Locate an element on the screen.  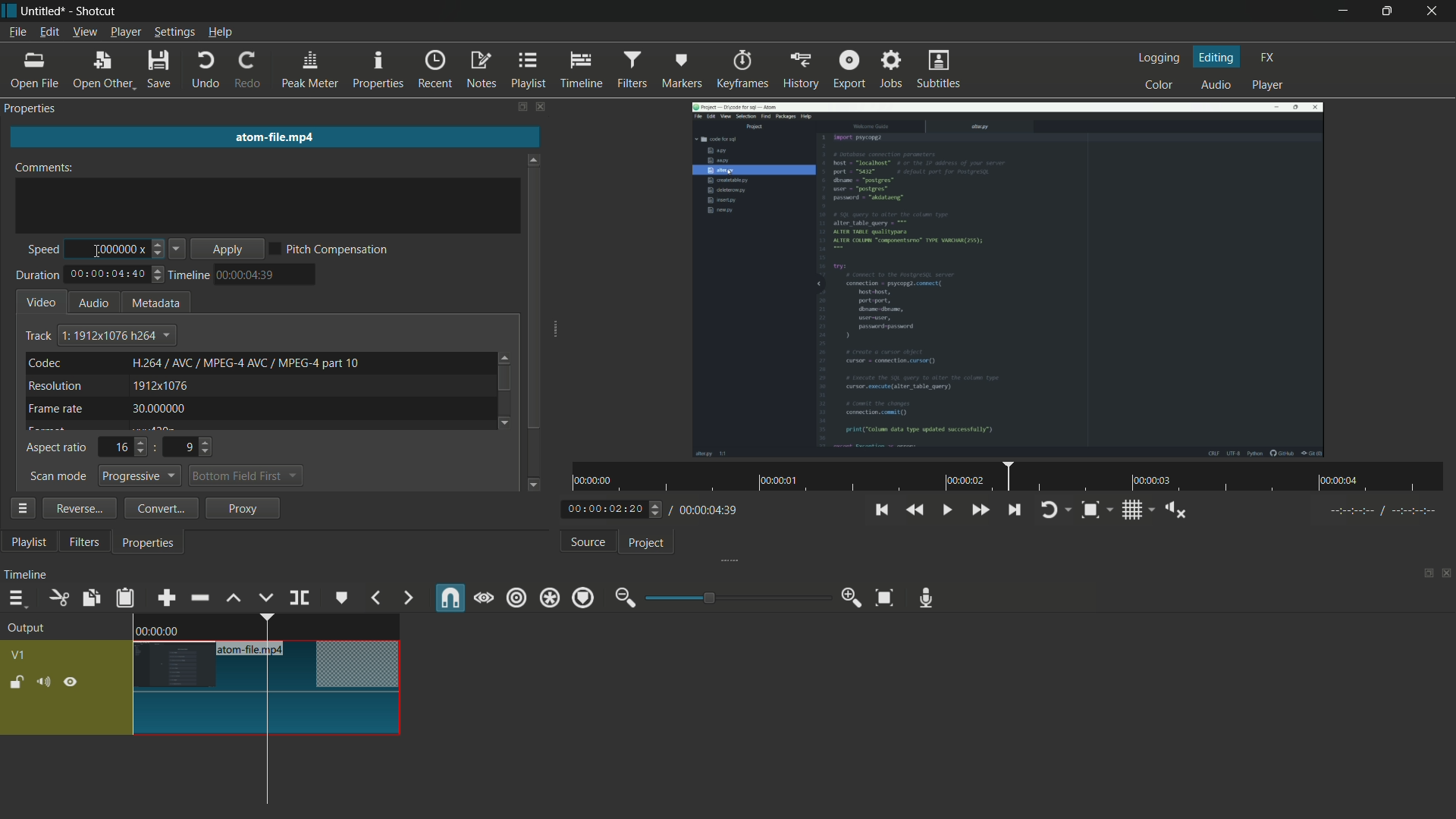
frame rate is located at coordinates (55, 409).